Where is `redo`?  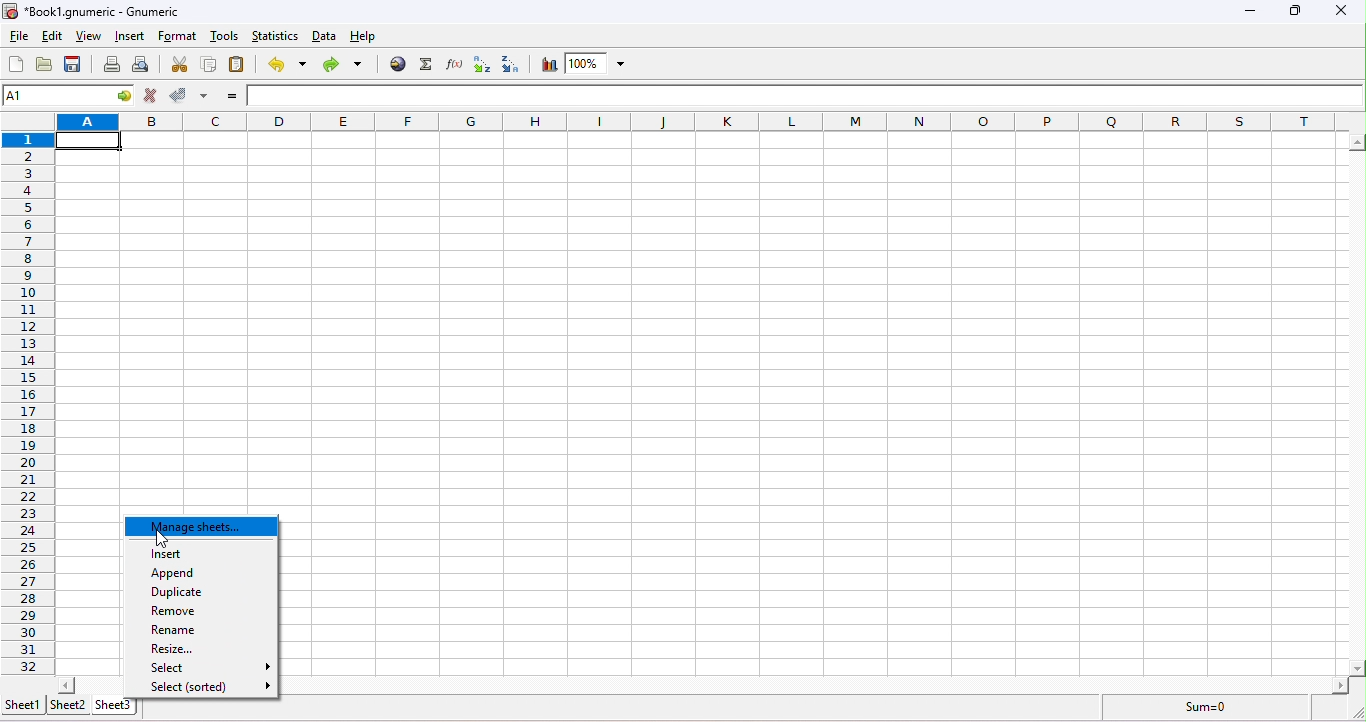 redo is located at coordinates (342, 61).